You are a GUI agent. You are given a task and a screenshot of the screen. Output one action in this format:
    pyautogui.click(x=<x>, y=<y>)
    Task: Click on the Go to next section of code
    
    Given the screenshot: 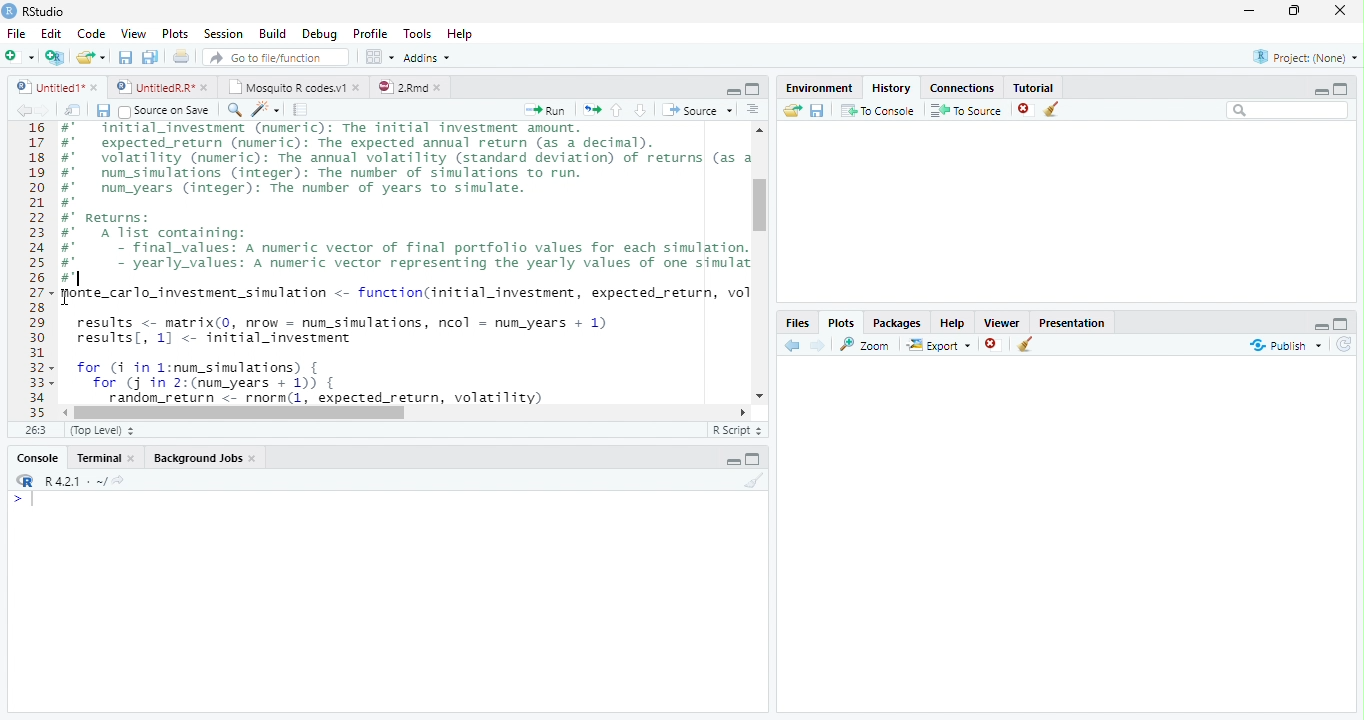 What is the action you would take?
    pyautogui.click(x=642, y=111)
    